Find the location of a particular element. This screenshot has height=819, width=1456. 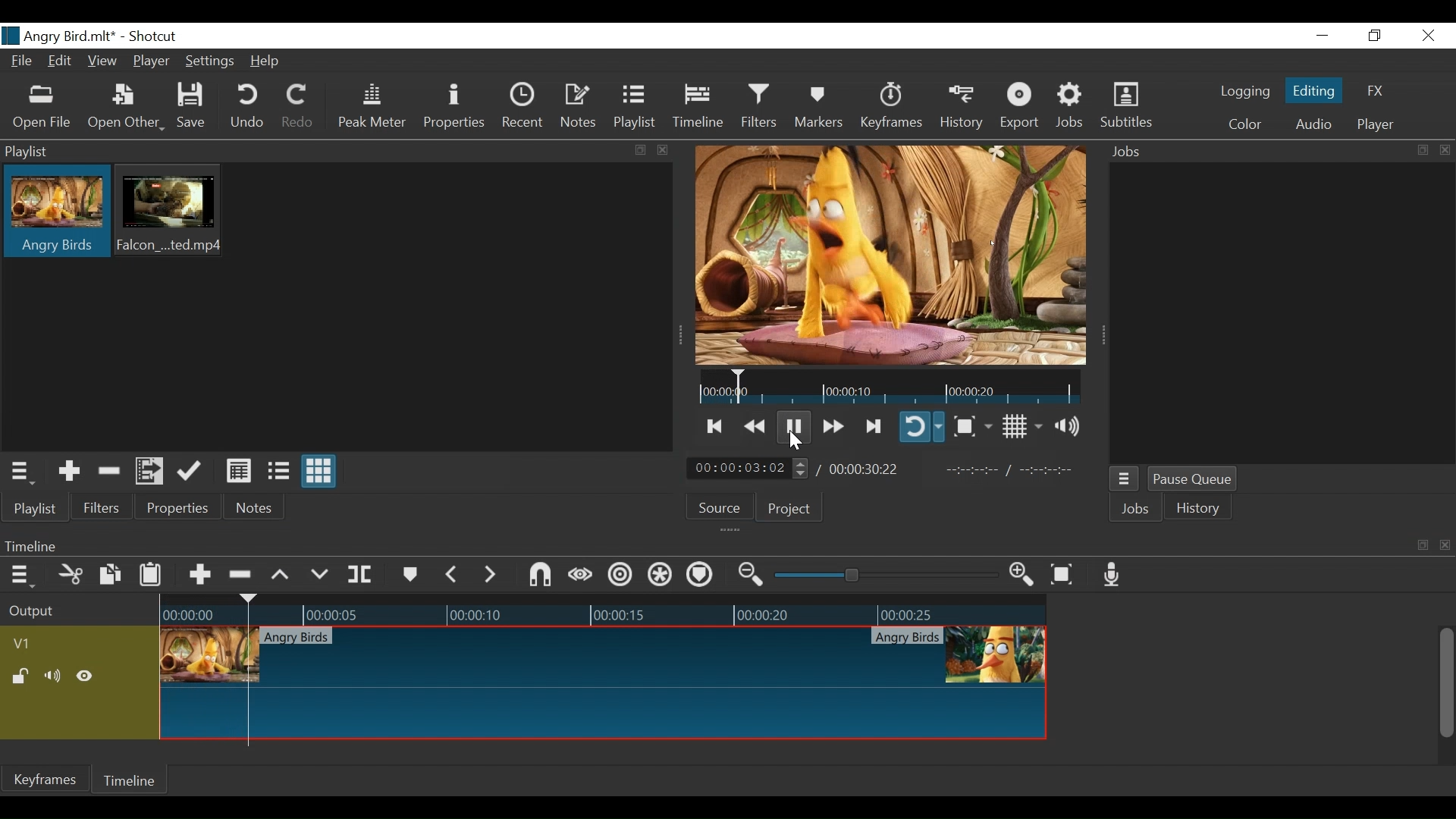

Previous marker is located at coordinates (453, 574).